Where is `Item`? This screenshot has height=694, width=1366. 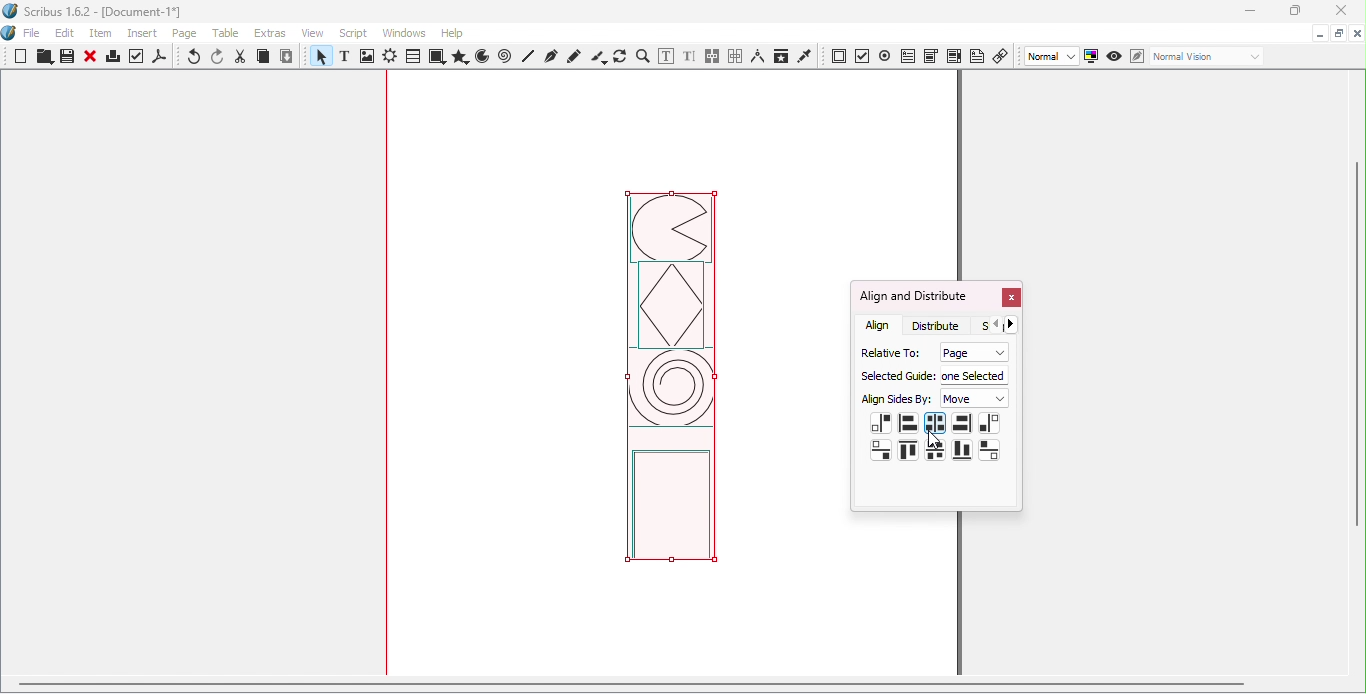
Item is located at coordinates (102, 34).